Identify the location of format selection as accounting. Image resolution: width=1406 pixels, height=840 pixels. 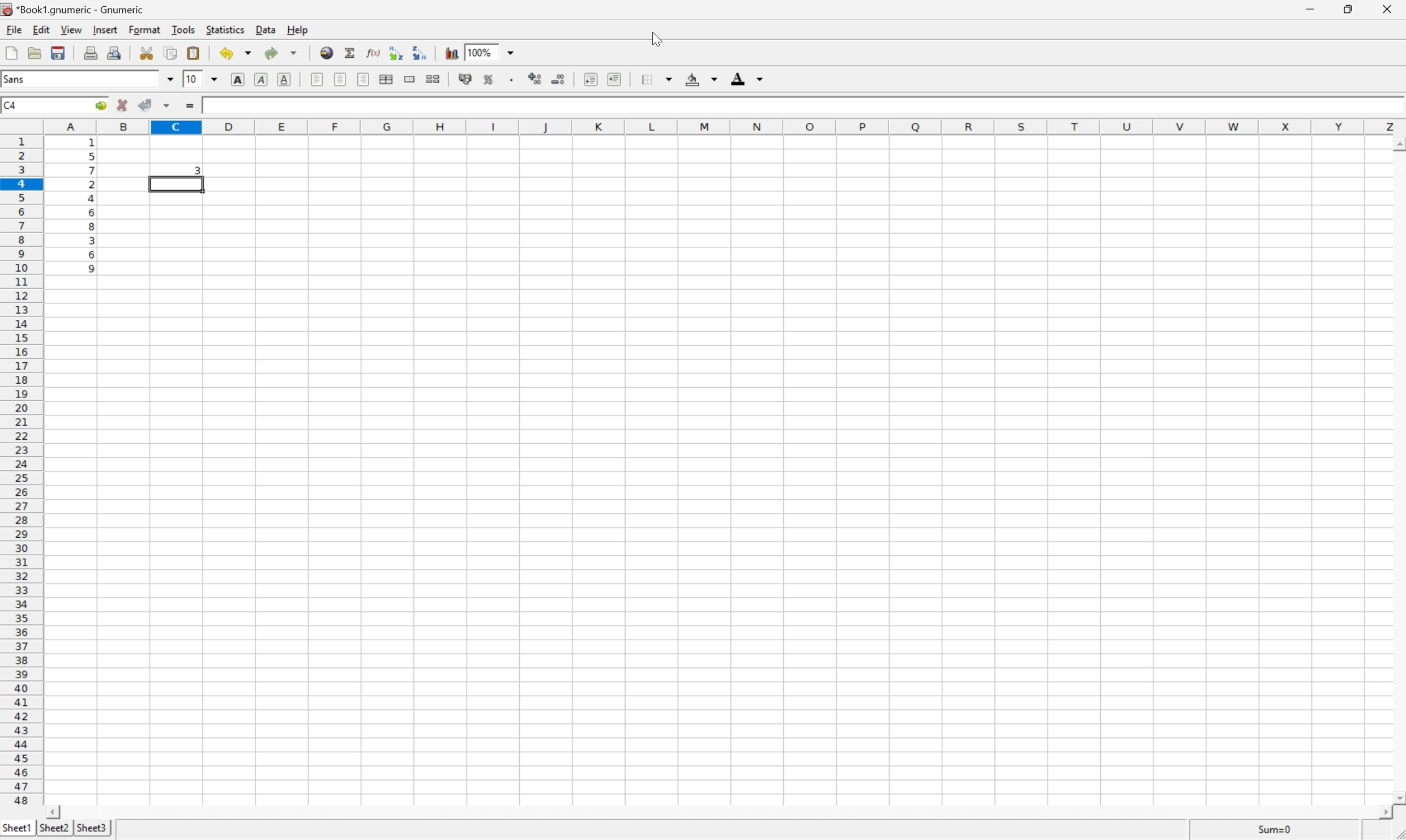
(466, 78).